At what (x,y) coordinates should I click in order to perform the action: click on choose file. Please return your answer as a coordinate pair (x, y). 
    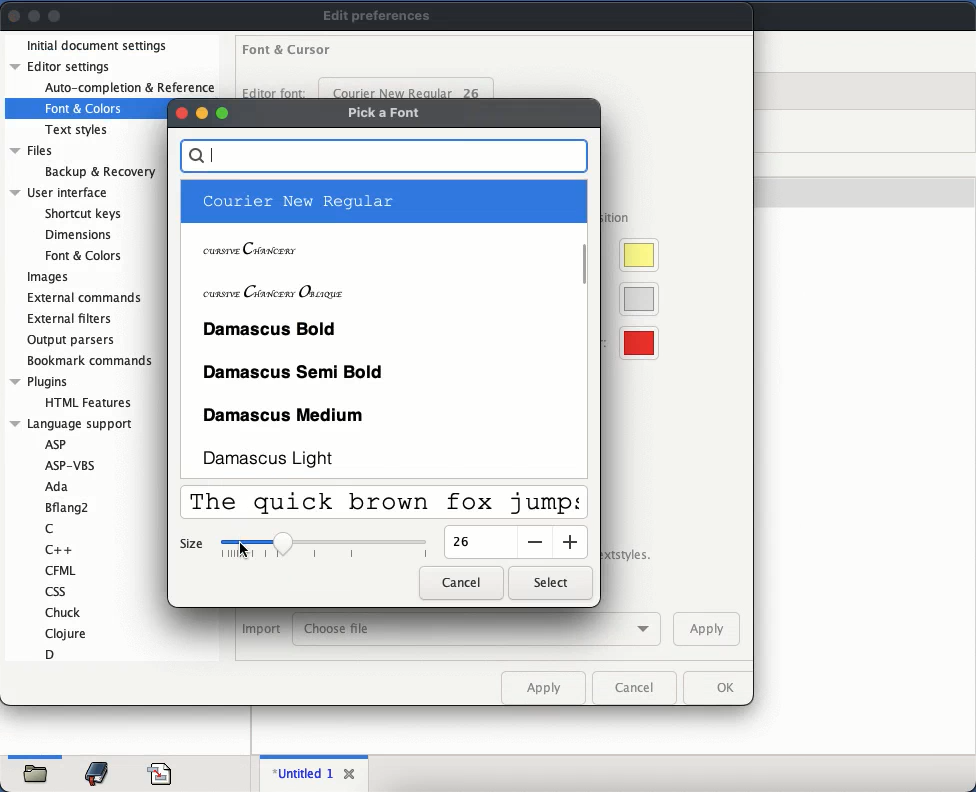
    Looking at the image, I should click on (481, 629).